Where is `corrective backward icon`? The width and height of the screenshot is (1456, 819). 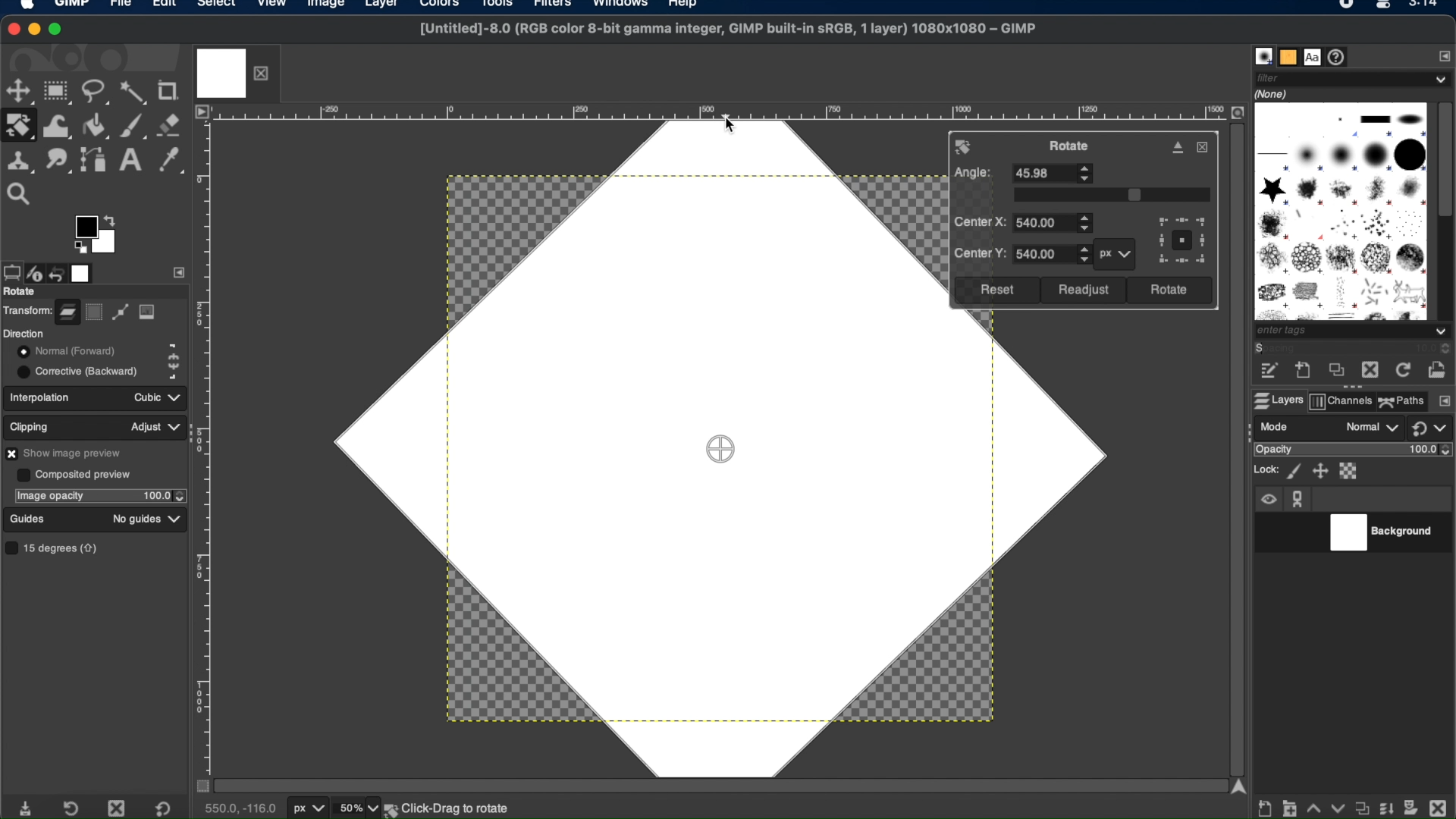 corrective backward icon is located at coordinates (171, 373).